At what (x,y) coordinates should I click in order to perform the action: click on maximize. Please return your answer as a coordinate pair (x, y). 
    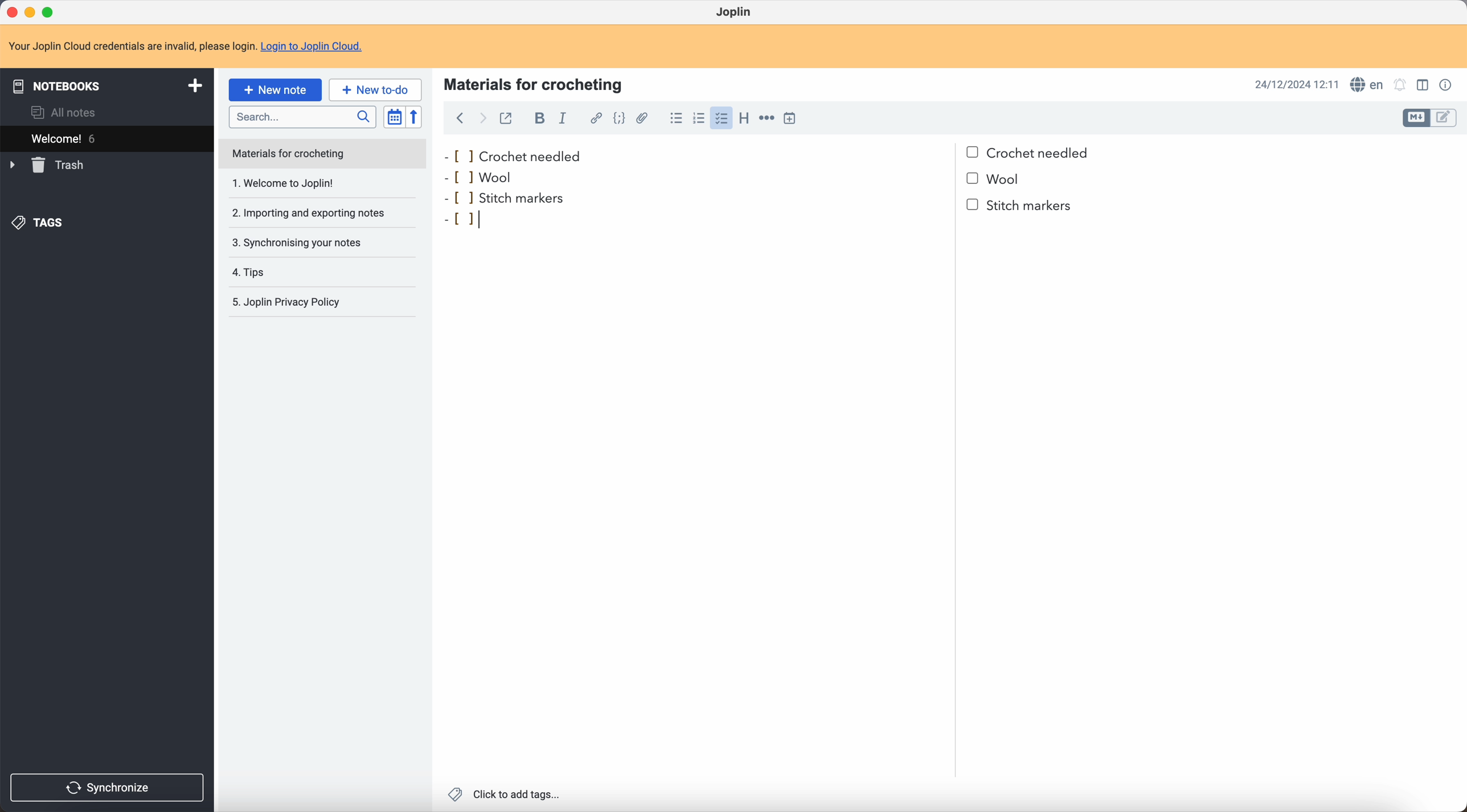
    Looking at the image, I should click on (51, 13).